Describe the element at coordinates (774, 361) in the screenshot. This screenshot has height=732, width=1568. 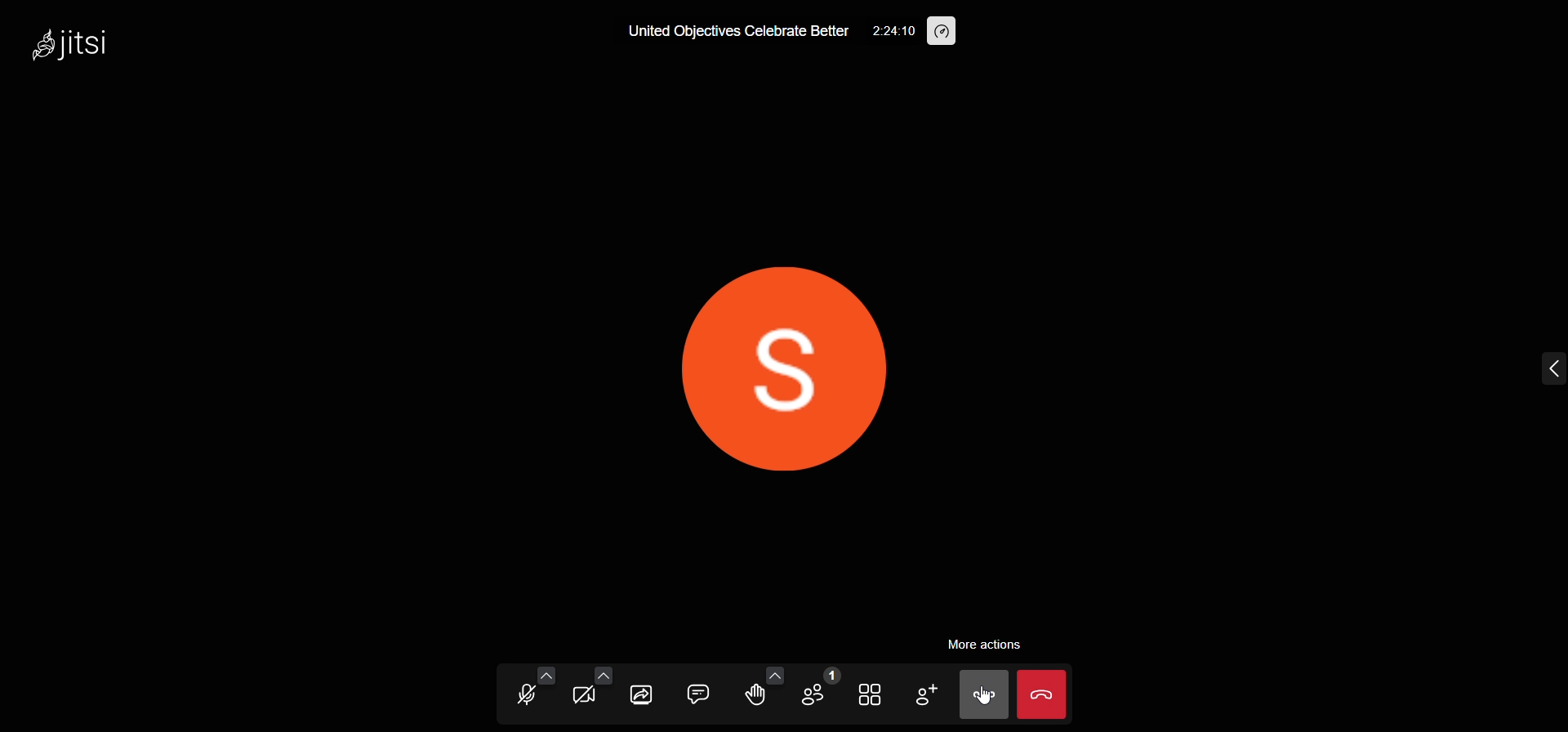
I see `display picture` at that location.